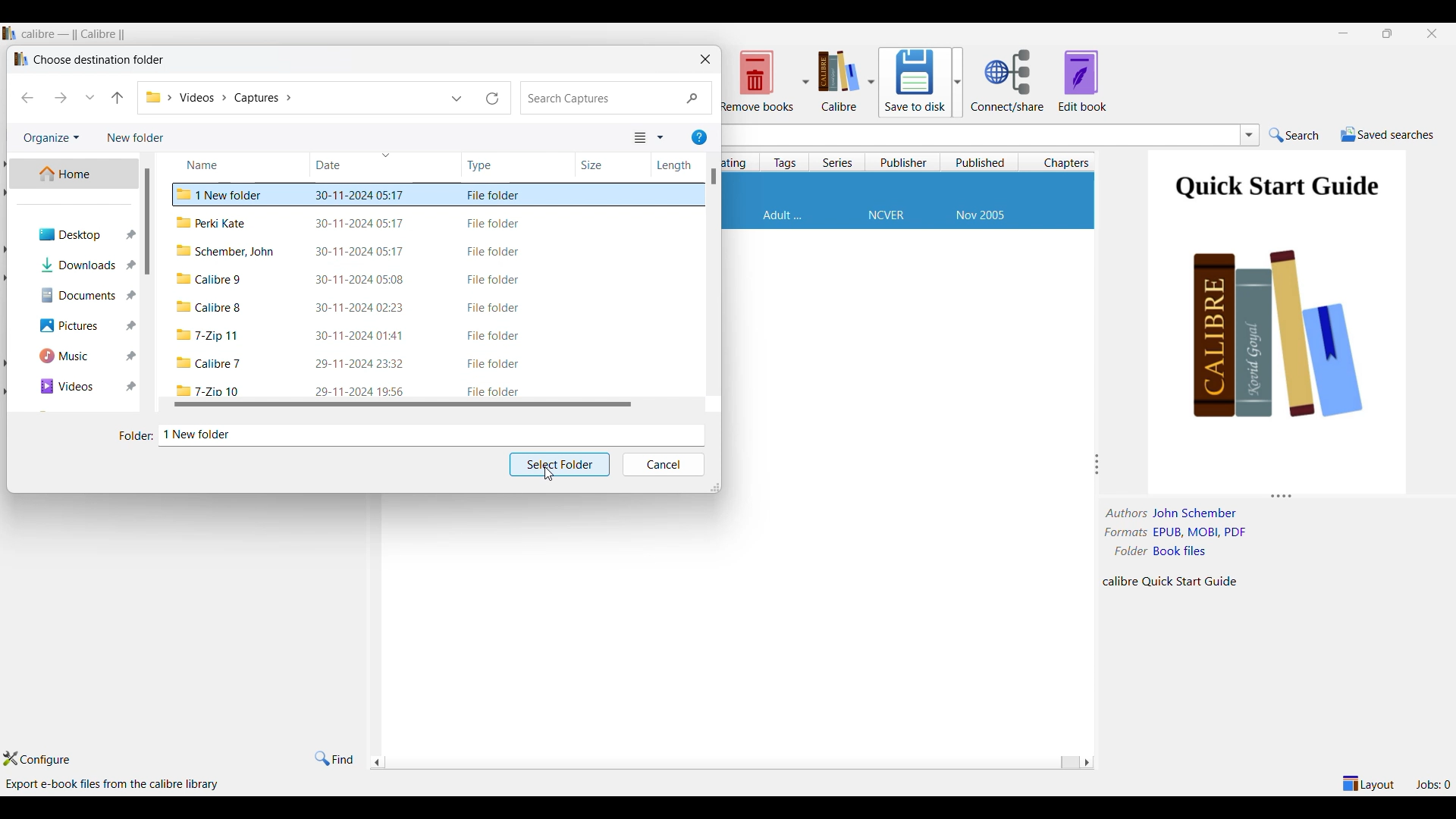  Describe the element at coordinates (495, 252) in the screenshot. I see `file folder` at that location.